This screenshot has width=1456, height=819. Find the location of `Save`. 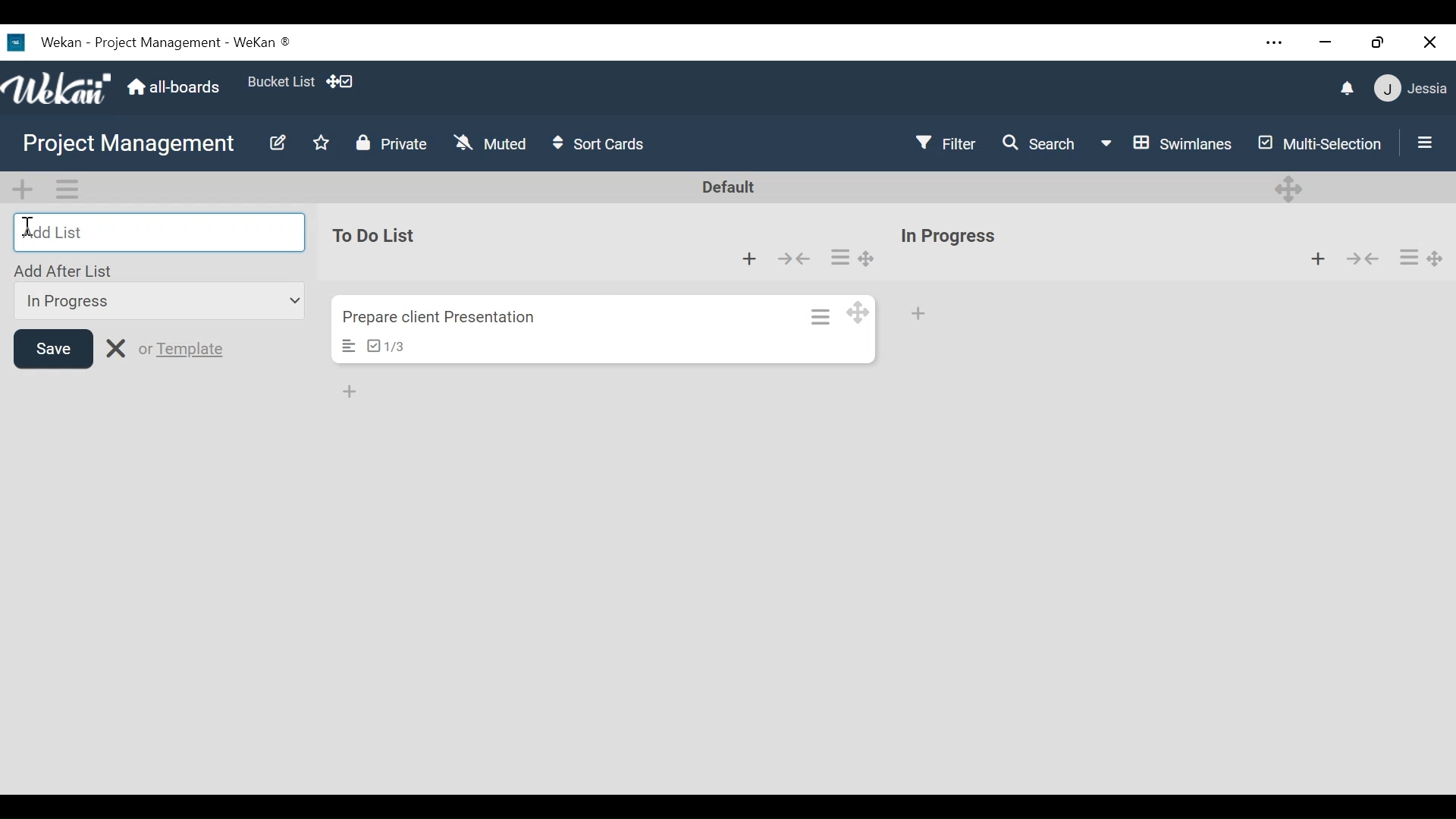

Save is located at coordinates (54, 349).